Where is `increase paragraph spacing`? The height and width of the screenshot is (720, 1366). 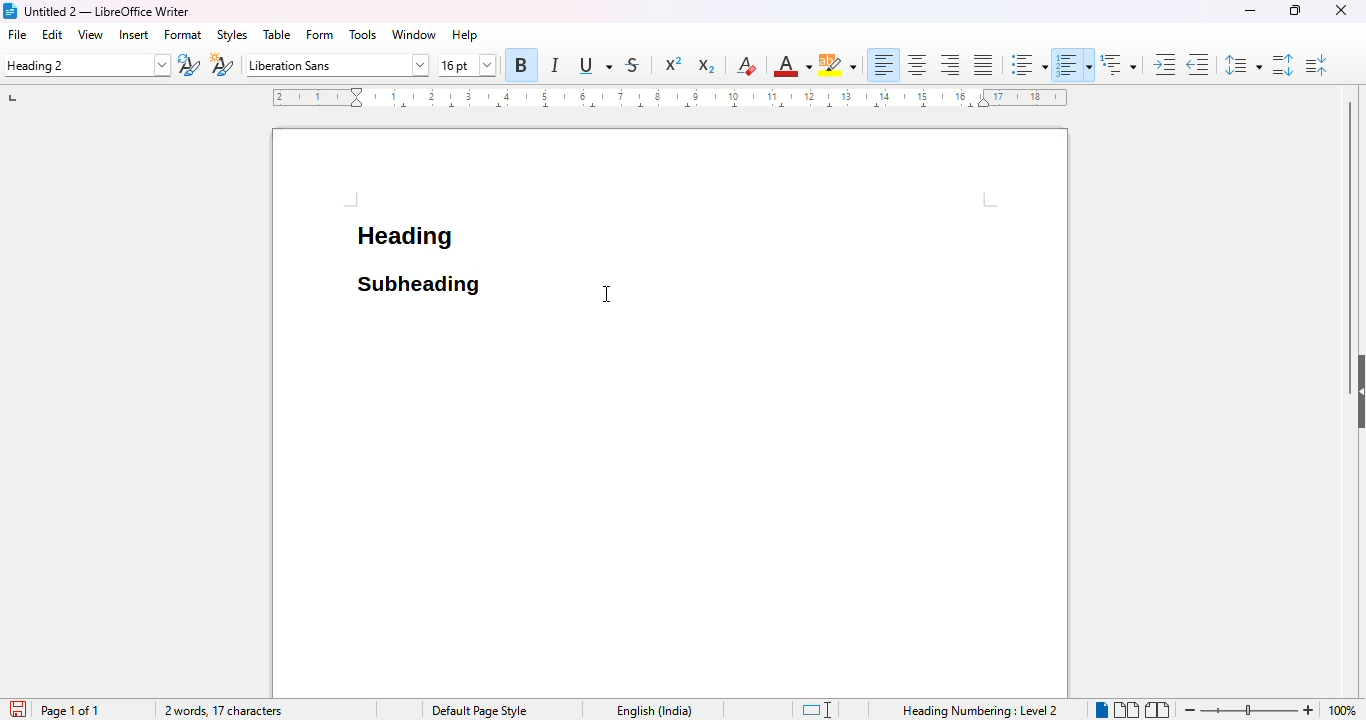
increase paragraph spacing is located at coordinates (1283, 65).